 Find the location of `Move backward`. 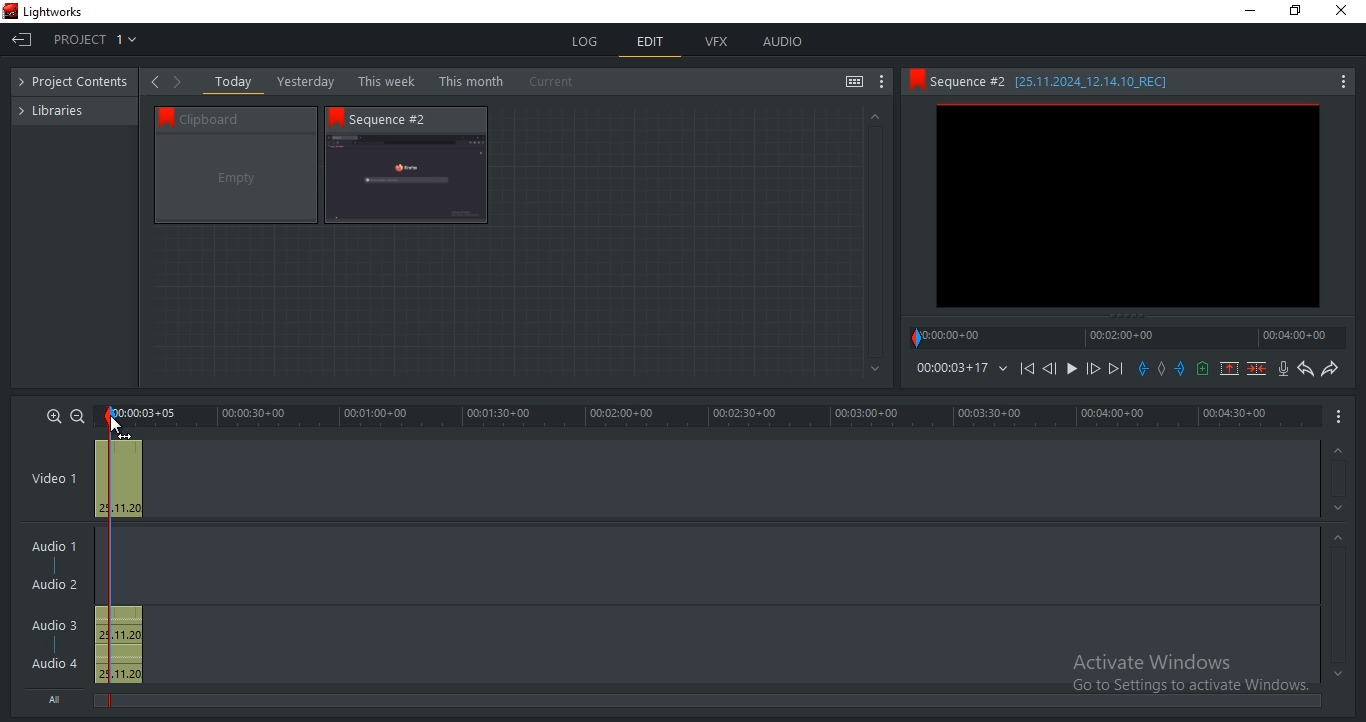

Move backward is located at coordinates (1030, 373).